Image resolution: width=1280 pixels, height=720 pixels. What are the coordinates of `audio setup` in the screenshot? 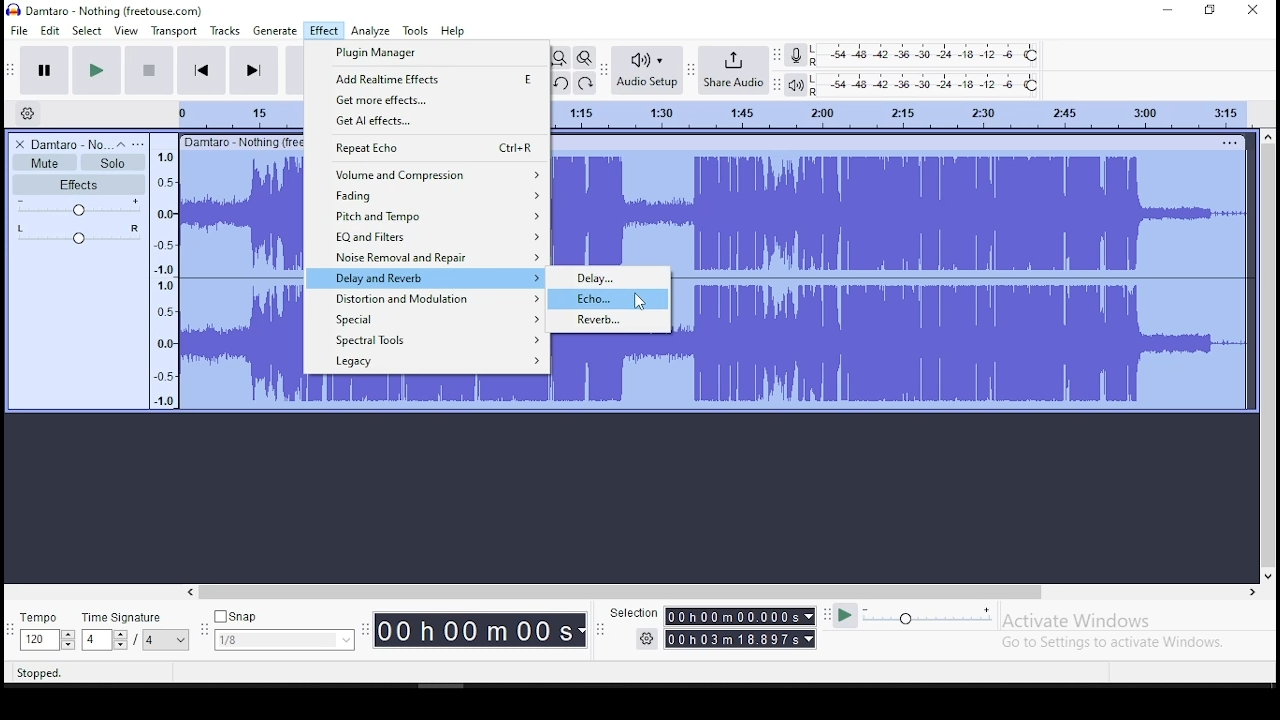 It's located at (647, 69).